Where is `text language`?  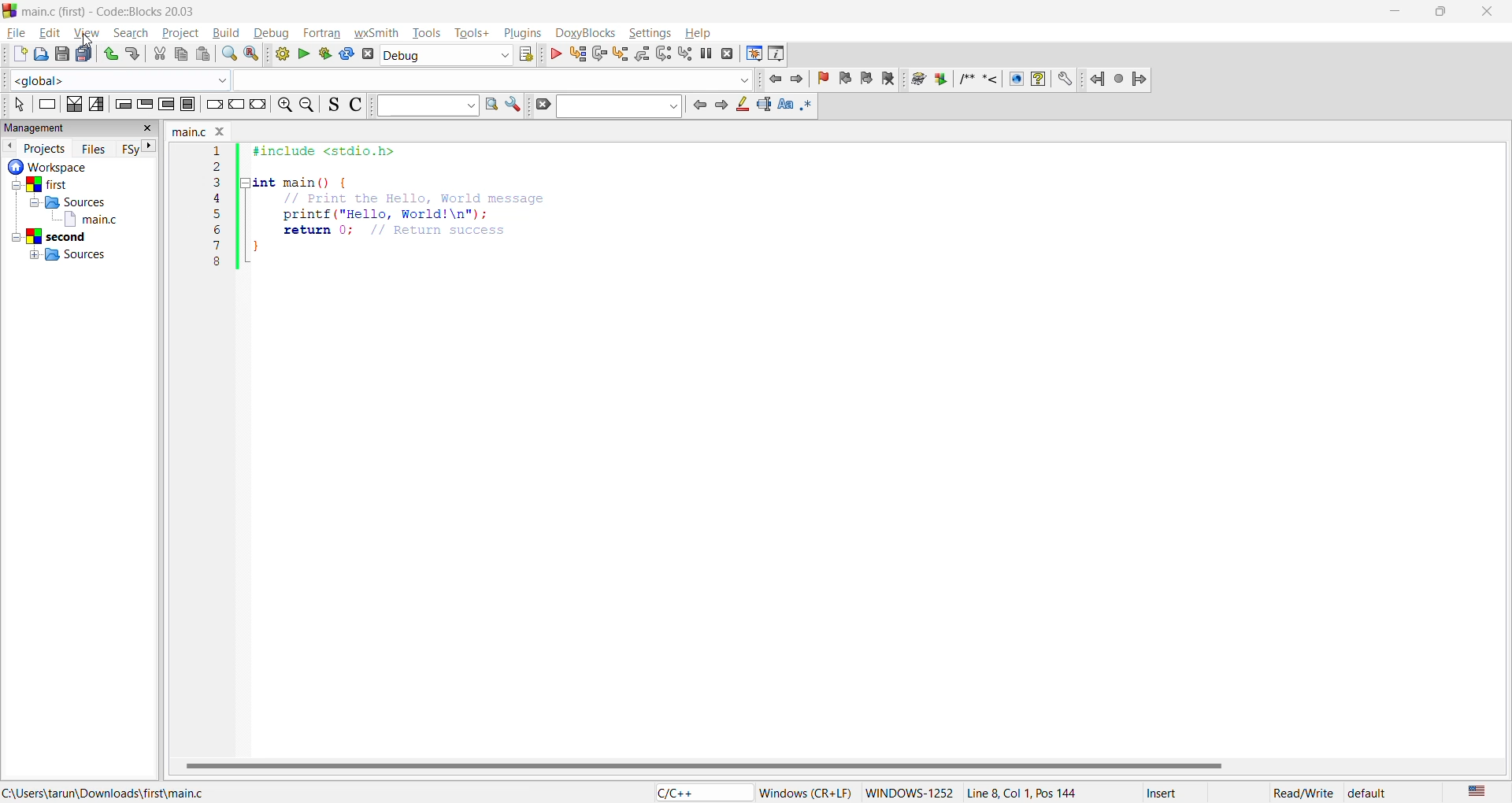 text language is located at coordinates (1477, 792).